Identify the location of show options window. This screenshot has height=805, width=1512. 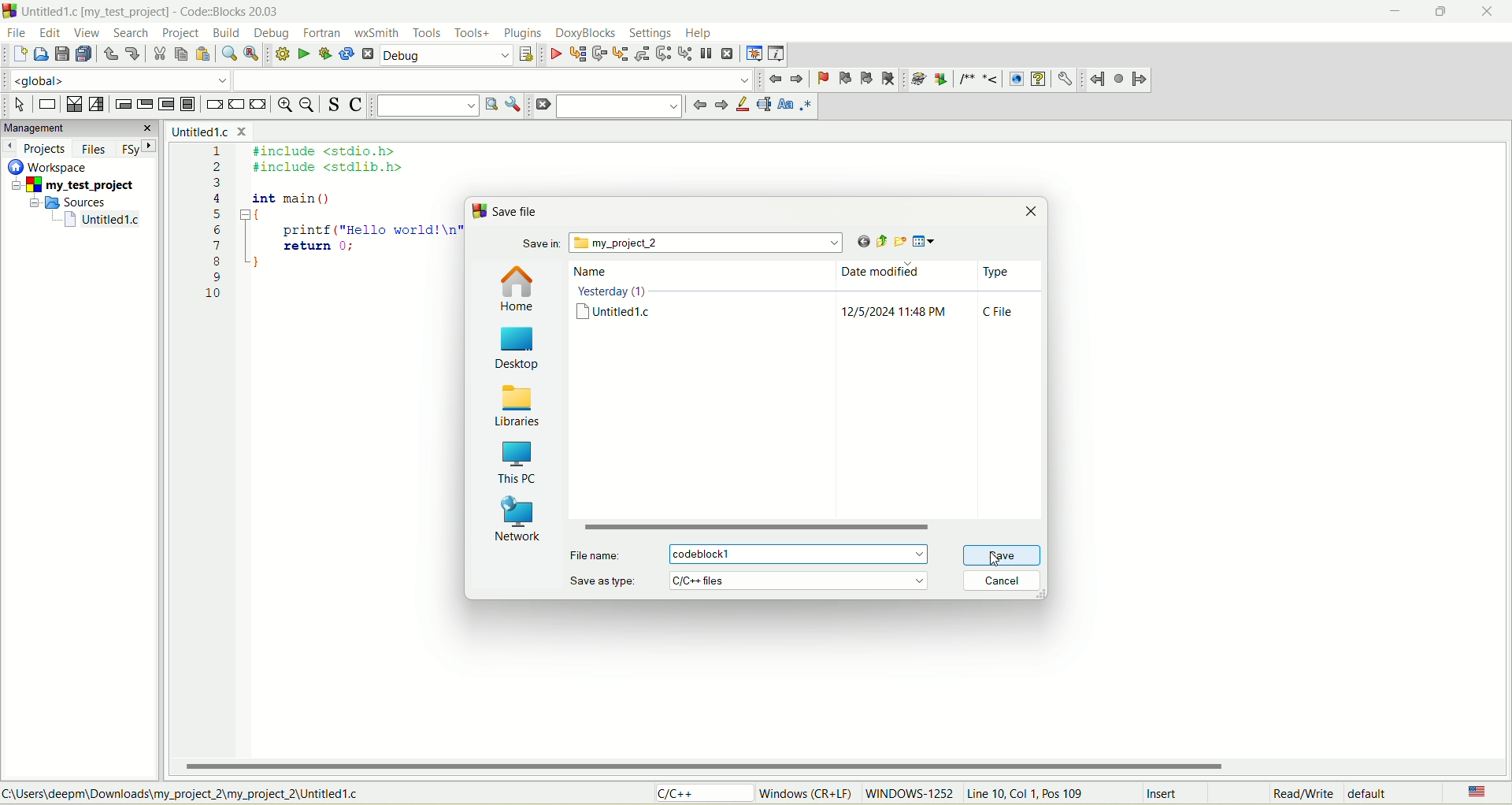
(515, 106).